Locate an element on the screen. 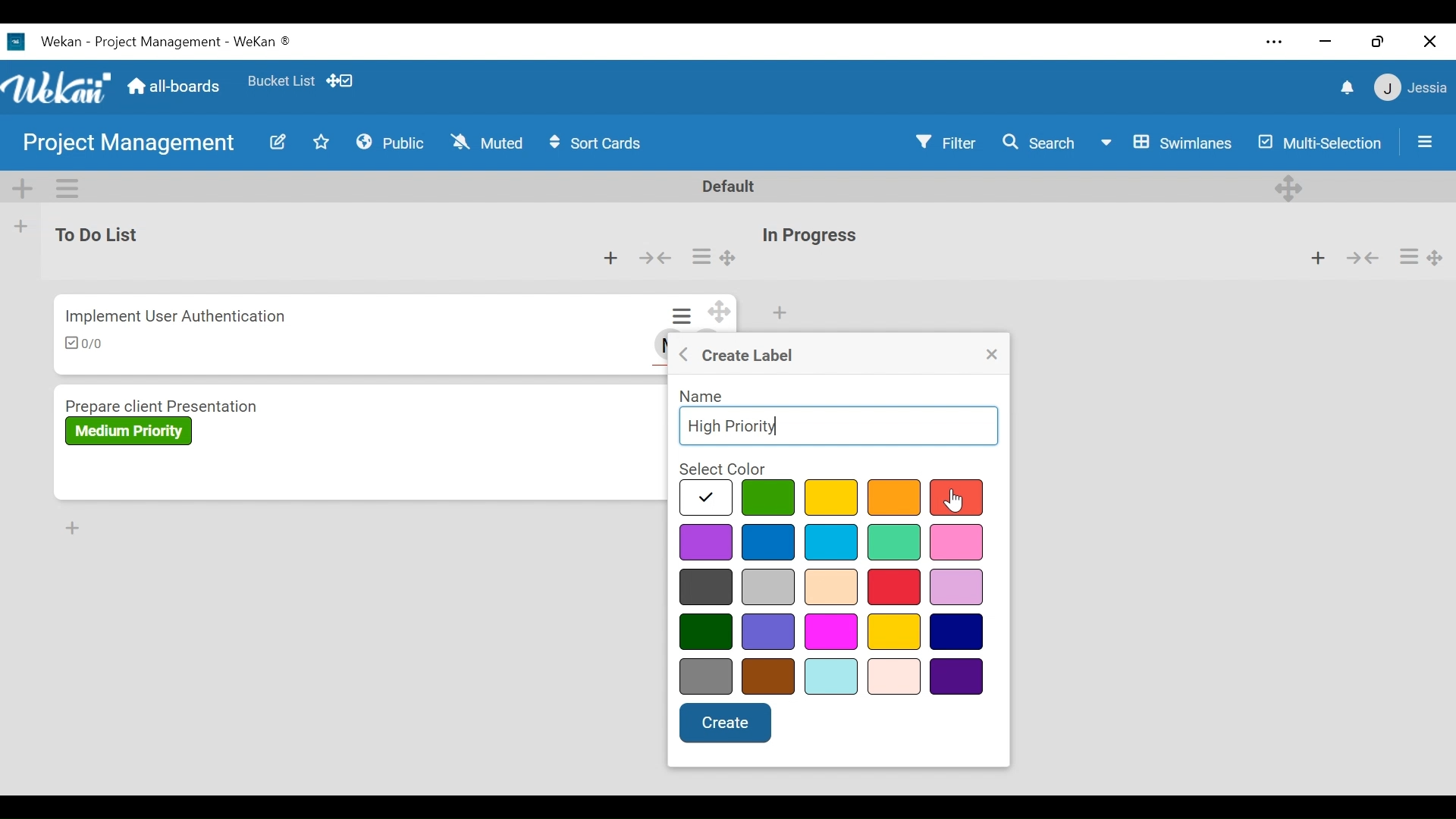  Home (all-boards) is located at coordinates (172, 86).